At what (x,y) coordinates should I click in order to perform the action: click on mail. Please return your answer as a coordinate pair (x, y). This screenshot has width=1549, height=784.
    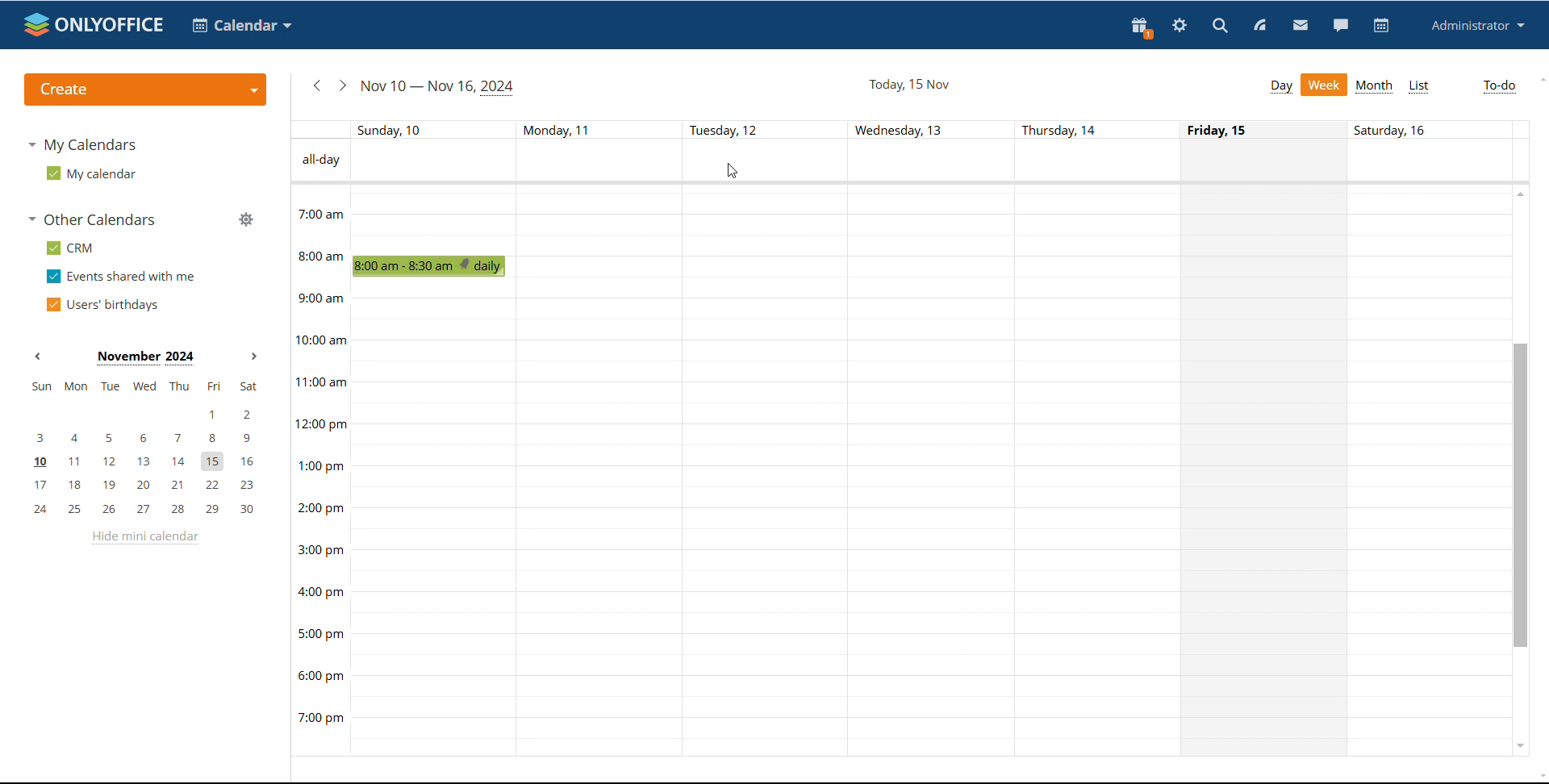
    Looking at the image, I should click on (1301, 25).